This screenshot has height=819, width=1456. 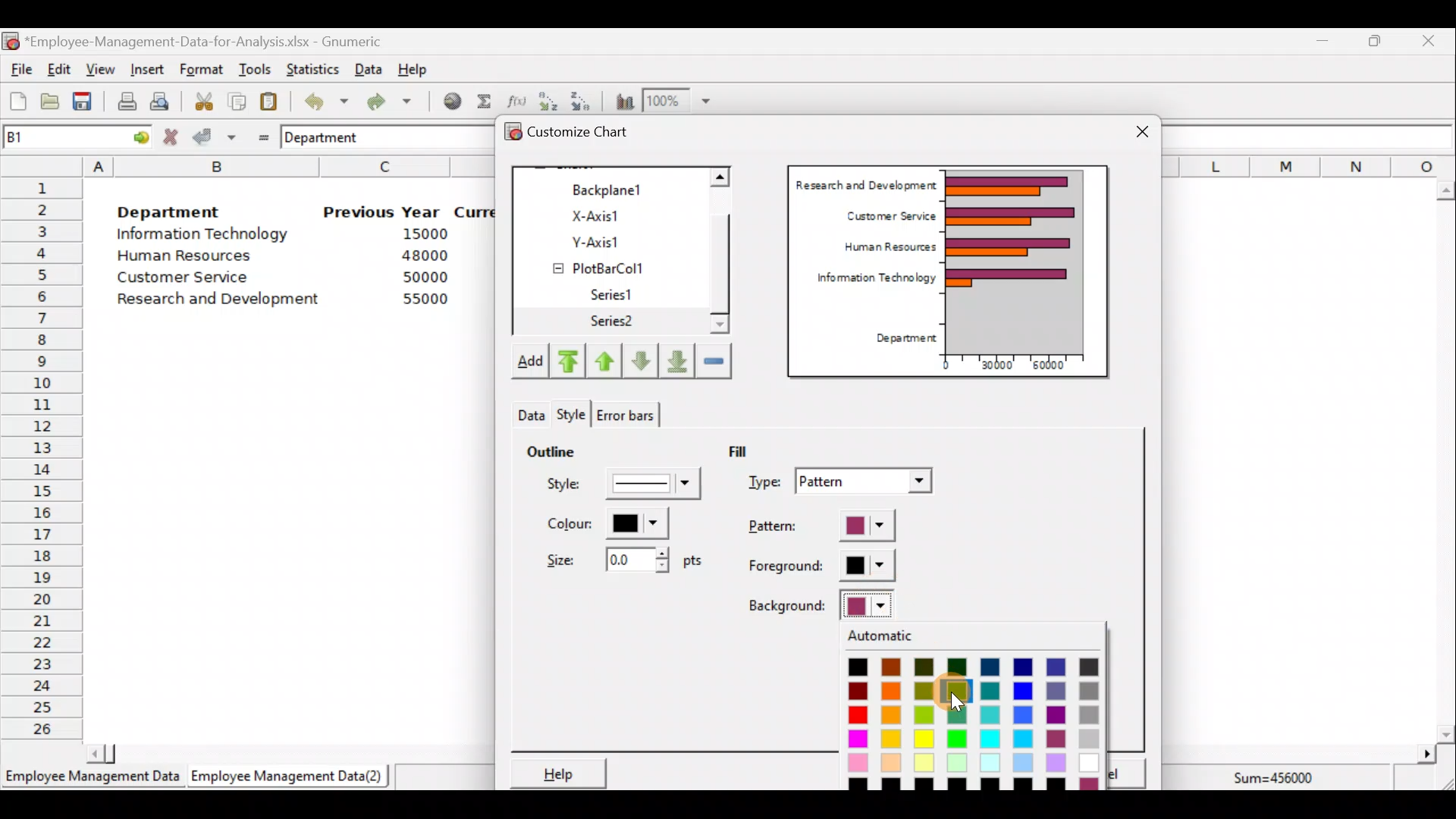 What do you see at coordinates (612, 266) in the screenshot?
I see `PlotBarCol1` at bounding box center [612, 266].